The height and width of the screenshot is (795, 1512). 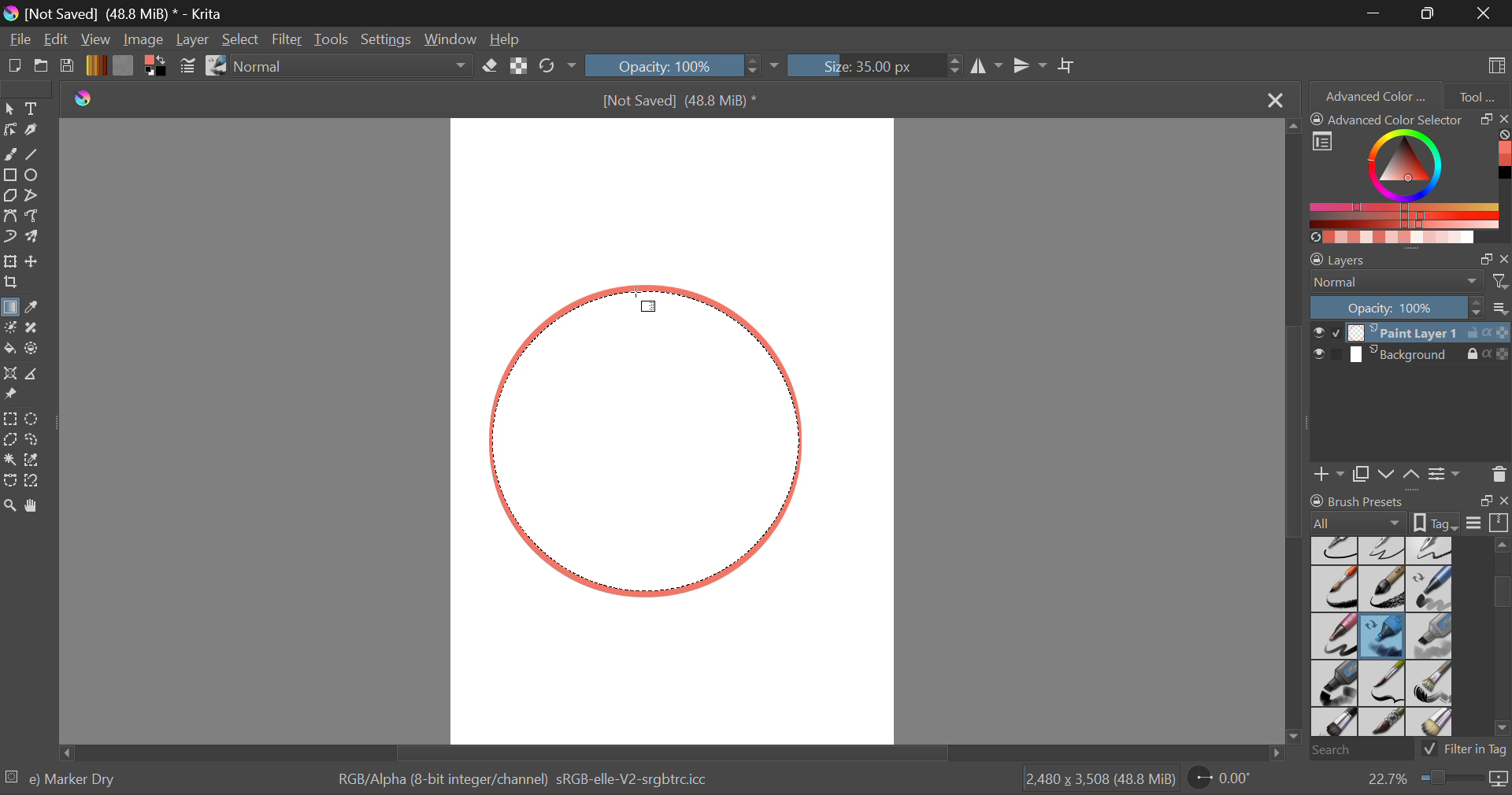 What do you see at coordinates (9, 418) in the screenshot?
I see `Rectangle Selection Tool` at bounding box center [9, 418].